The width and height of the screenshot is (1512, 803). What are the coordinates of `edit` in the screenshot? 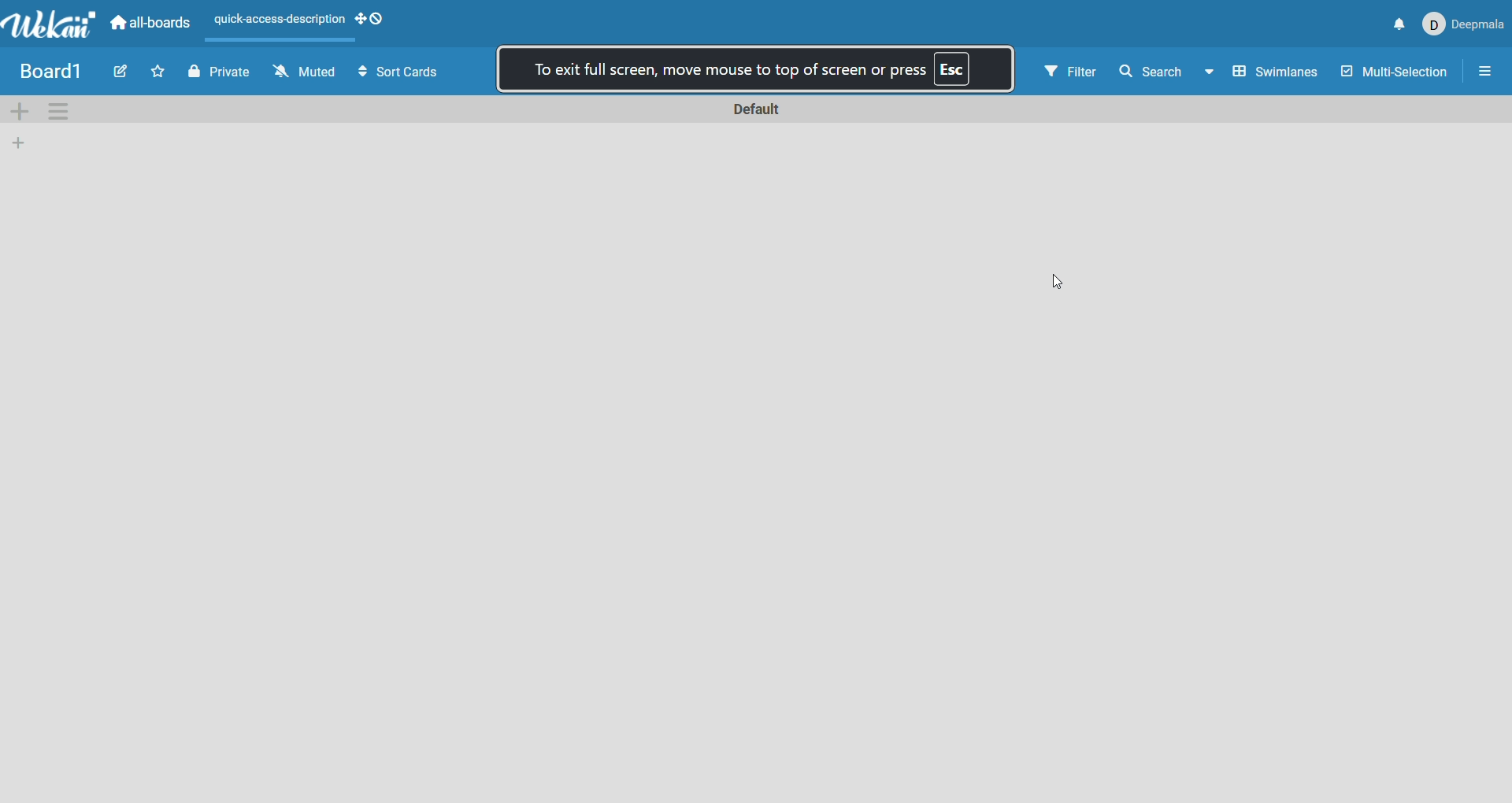 It's located at (119, 70).